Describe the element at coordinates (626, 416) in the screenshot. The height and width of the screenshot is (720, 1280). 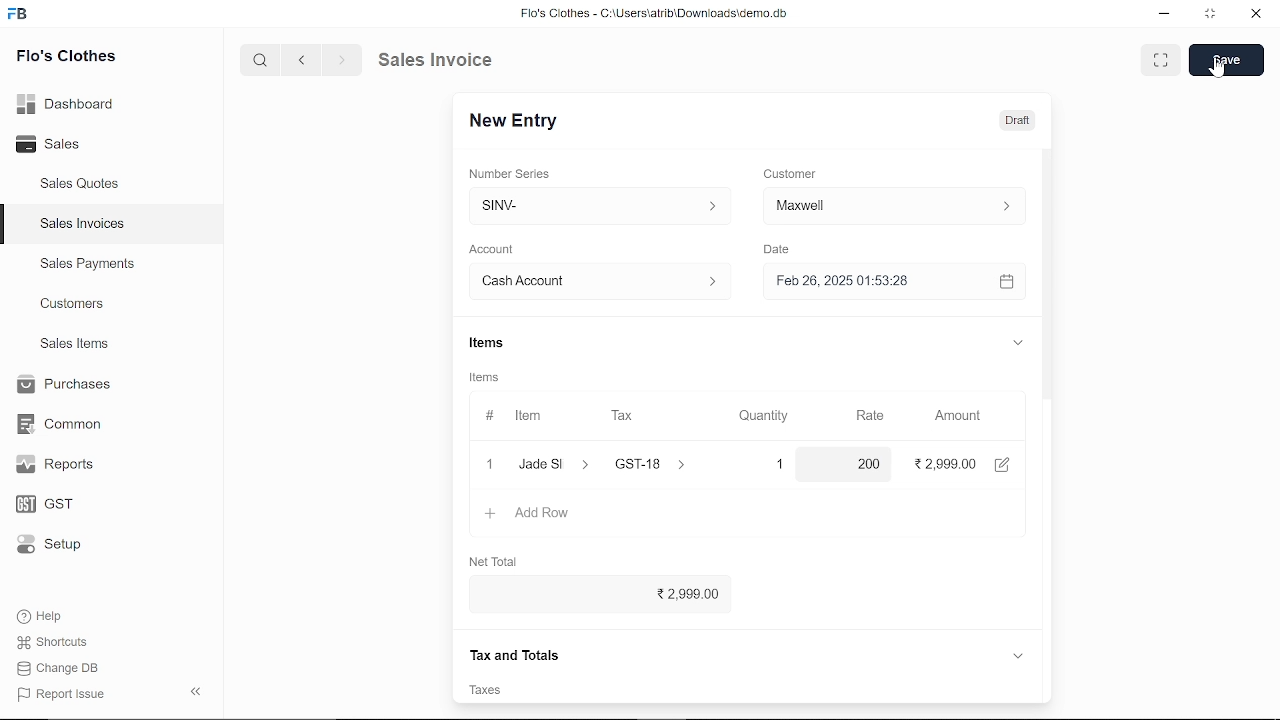
I see `Tax` at that location.